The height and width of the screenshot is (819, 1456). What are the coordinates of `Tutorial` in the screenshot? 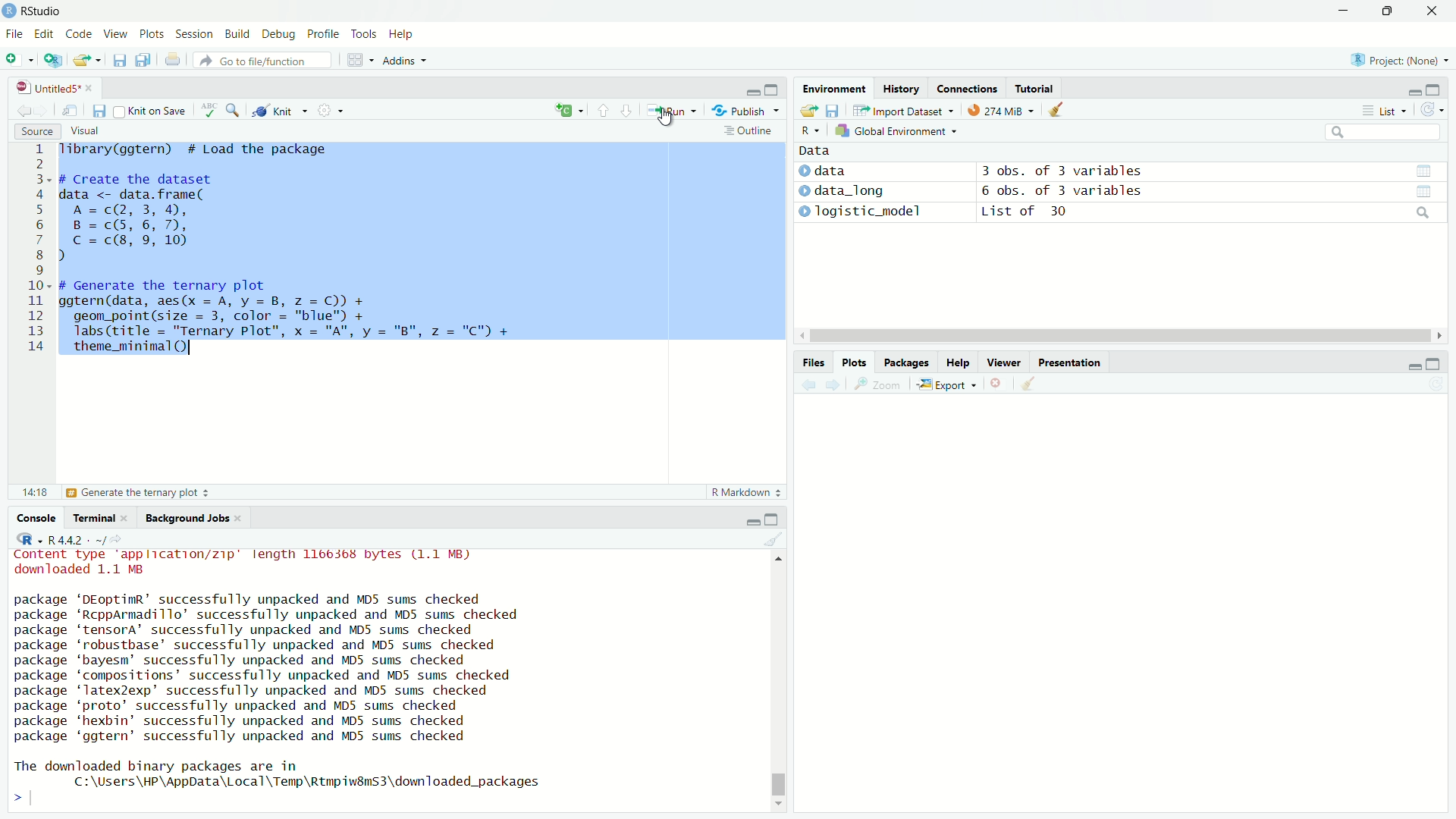 It's located at (1036, 87).